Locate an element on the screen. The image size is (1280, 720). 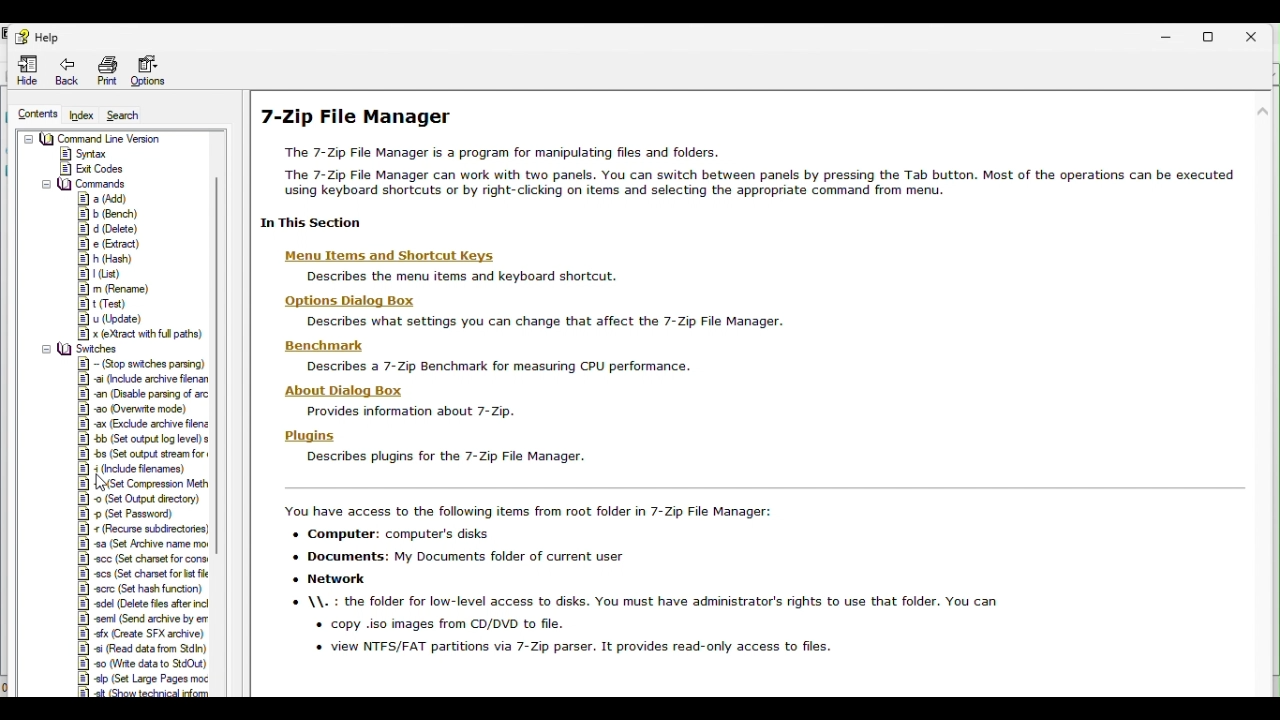
description text is located at coordinates (417, 411).